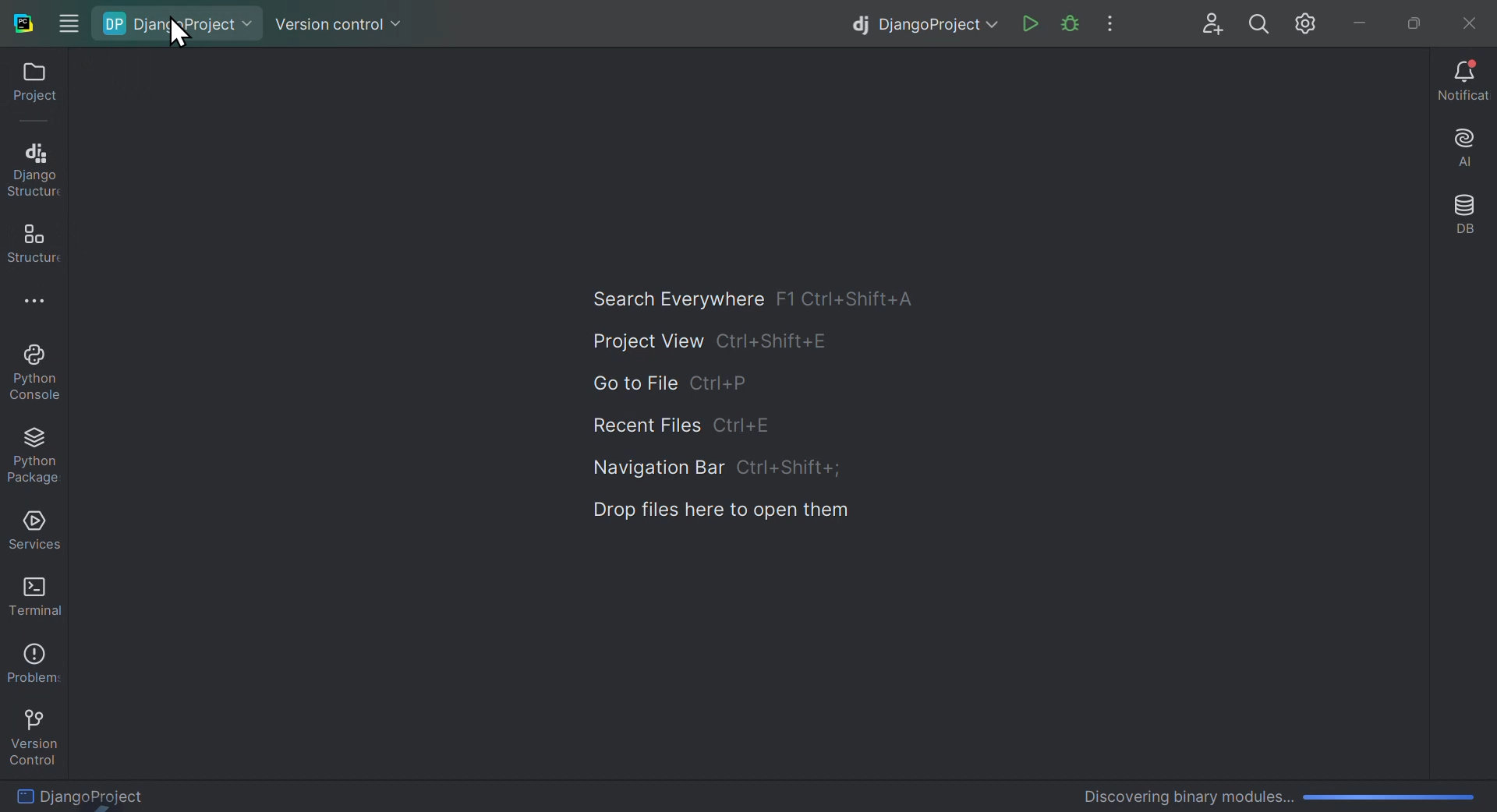  What do you see at coordinates (33, 733) in the screenshot?
I see `version control` at bounding box center [33, 733].